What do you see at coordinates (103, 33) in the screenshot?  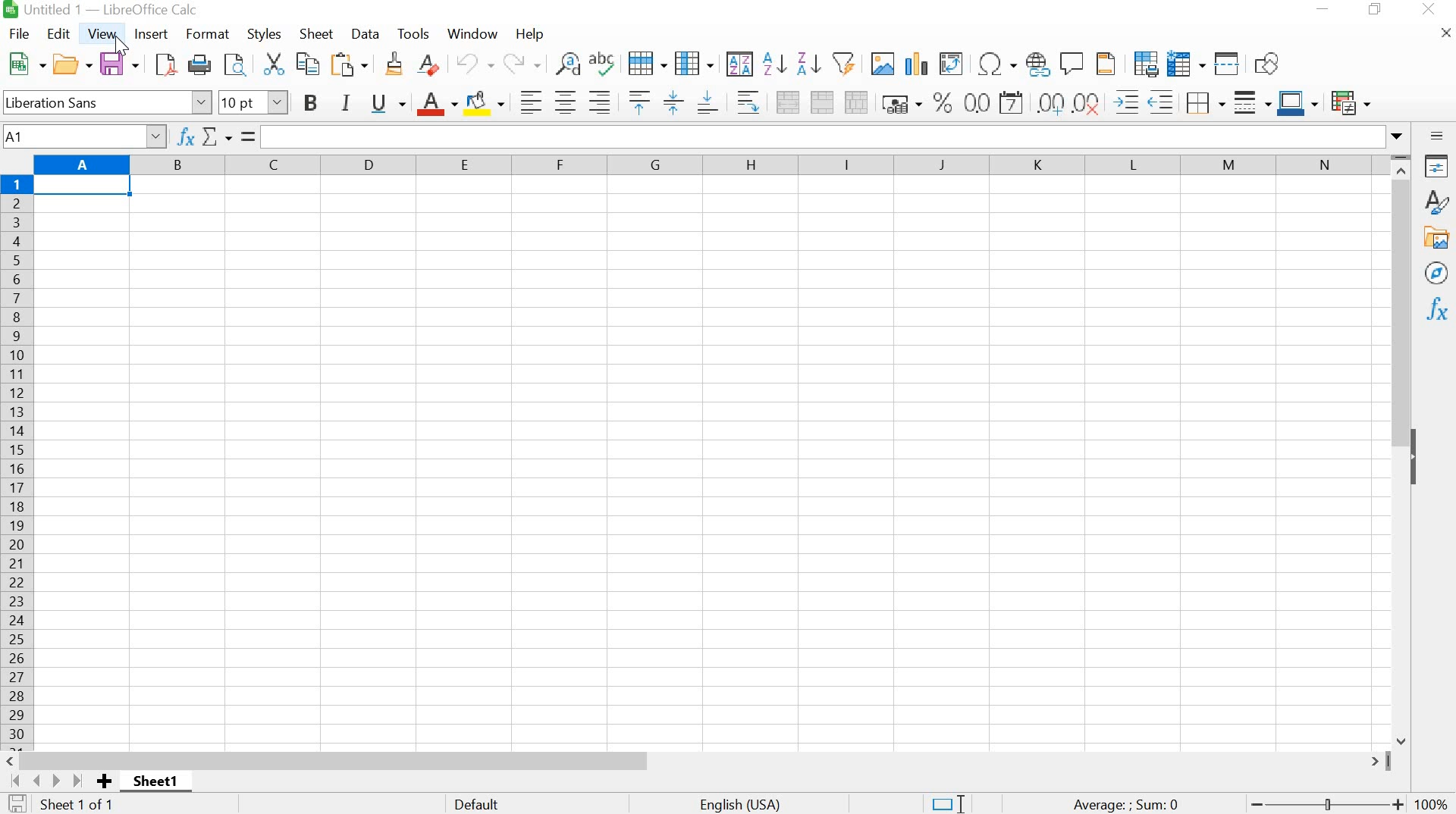 I see `VIEW` at bounding box center [103, 33].